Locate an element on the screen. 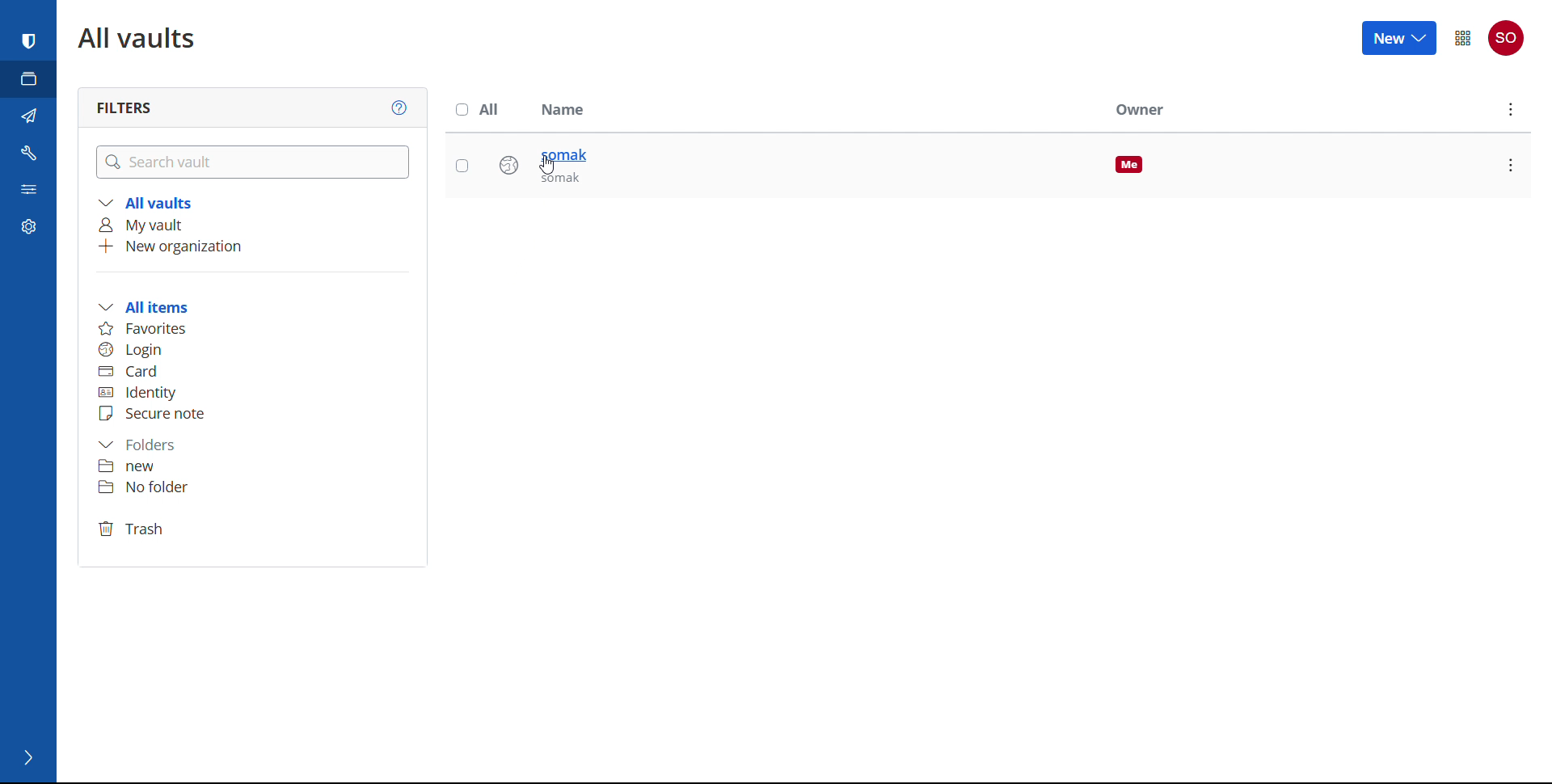  secure note is located at coordinates (248, 414).